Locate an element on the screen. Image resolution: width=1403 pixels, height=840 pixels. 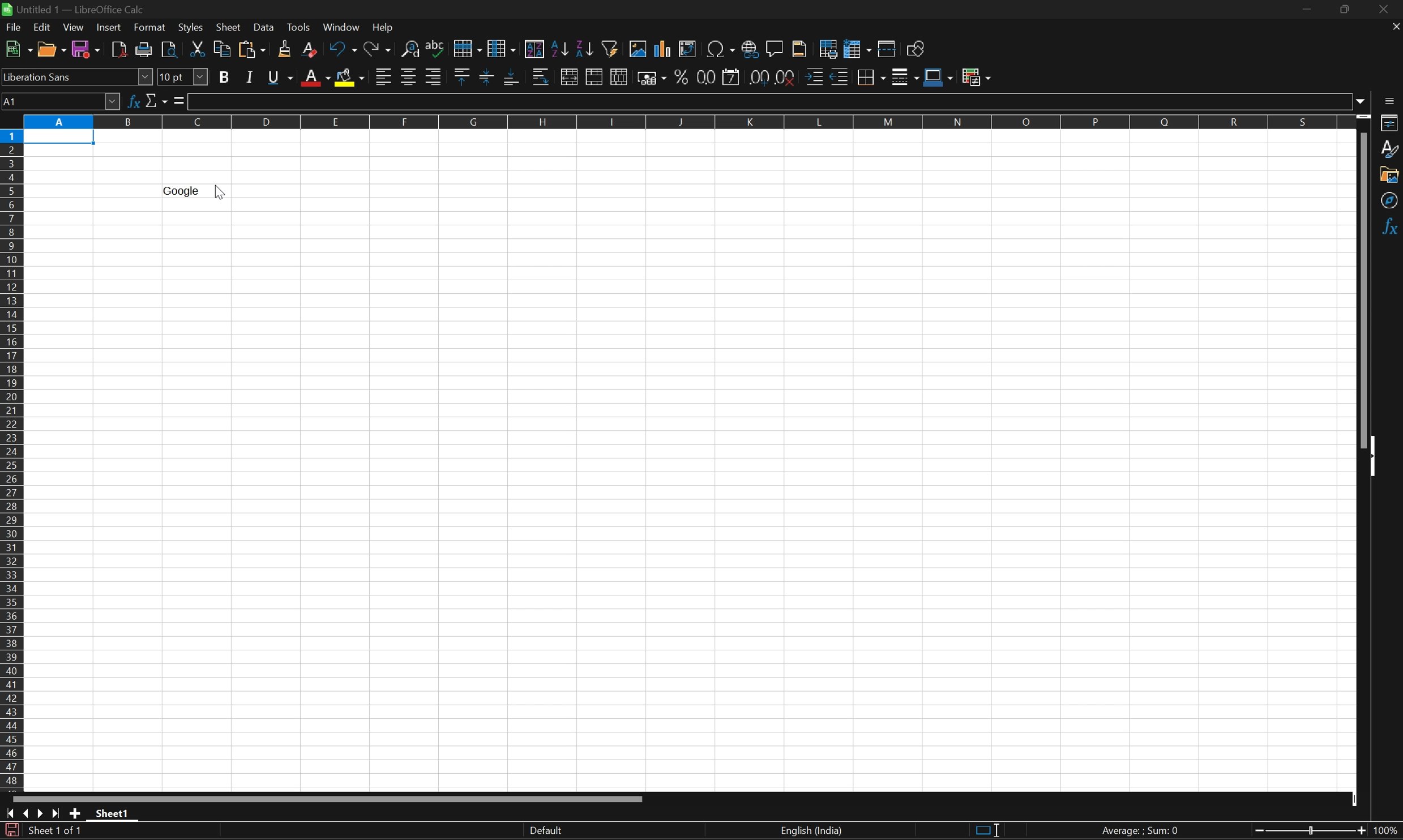
Merge cells is located at coordinates (596, 78).